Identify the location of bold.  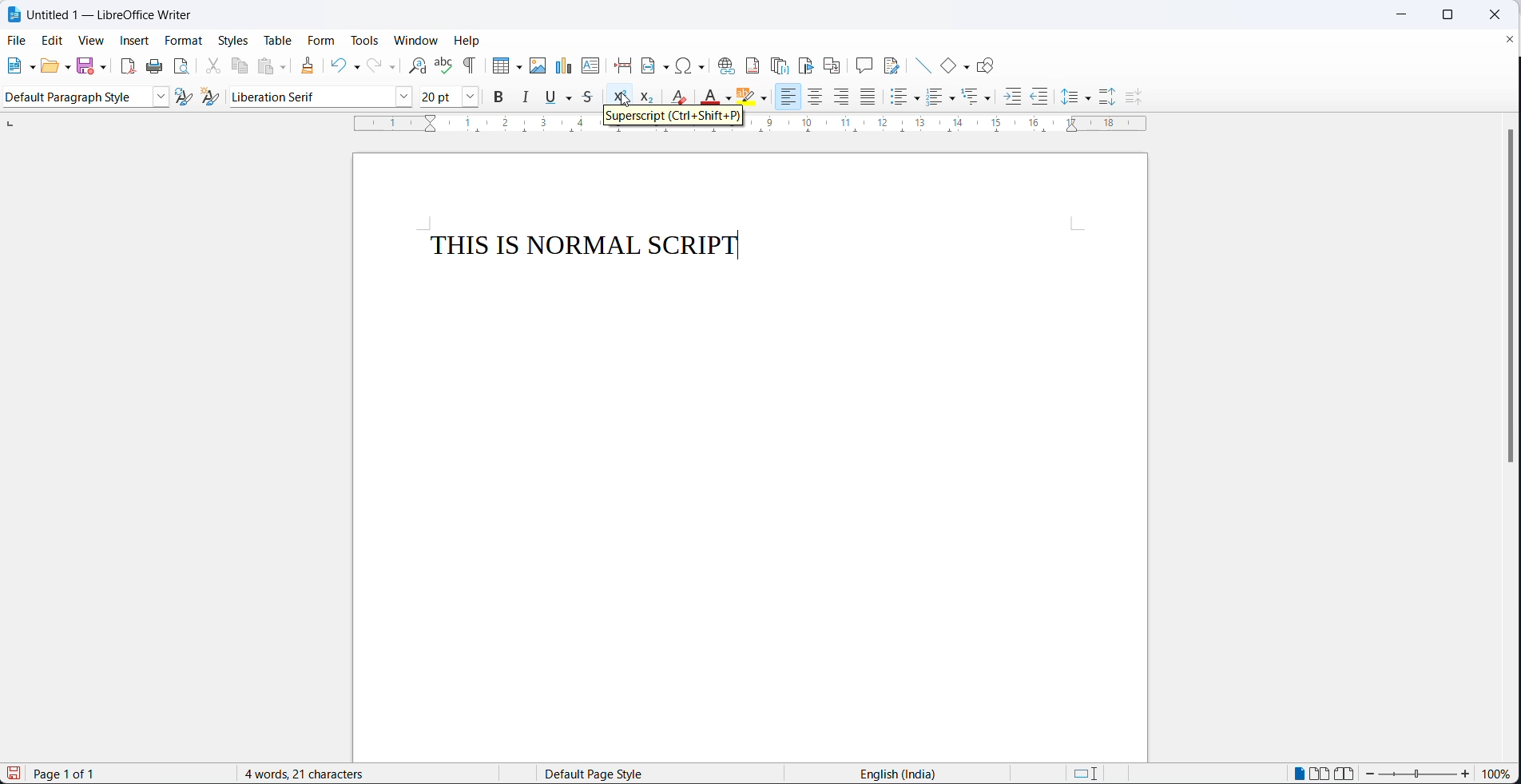
(499, 97).